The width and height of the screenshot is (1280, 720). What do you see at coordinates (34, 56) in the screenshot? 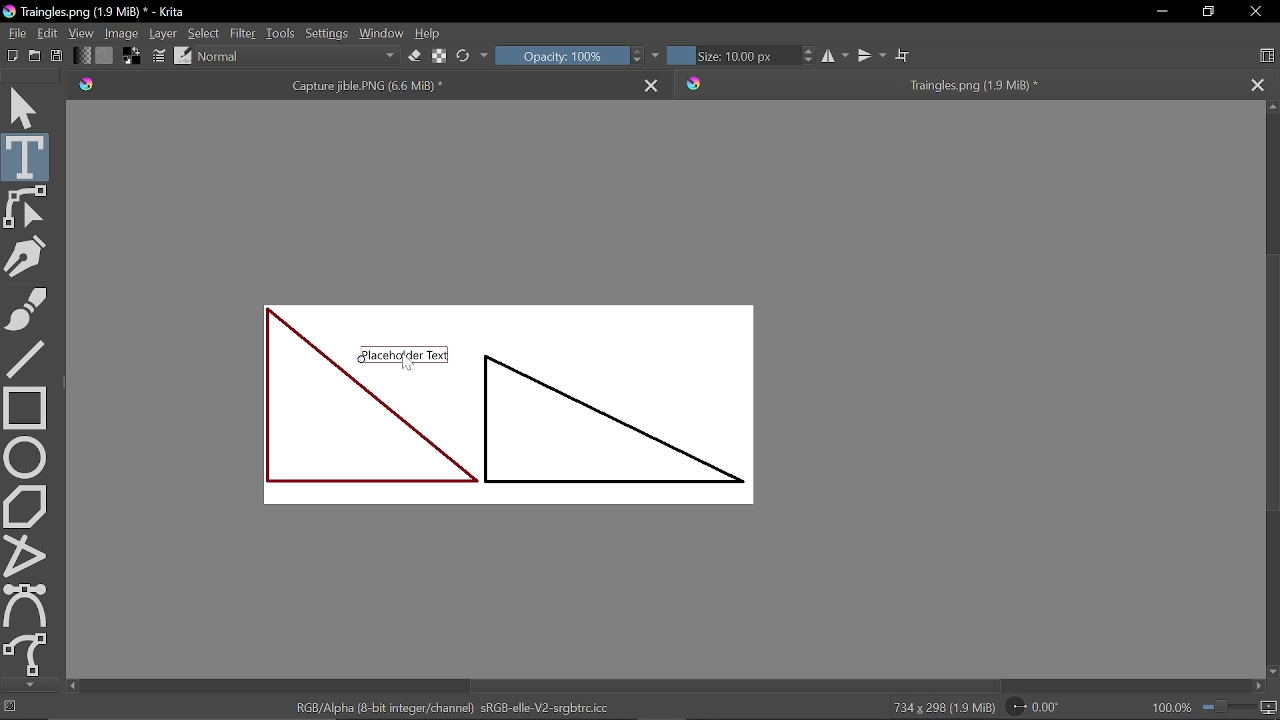
I see `Open document` at bounding box center [34, 56].